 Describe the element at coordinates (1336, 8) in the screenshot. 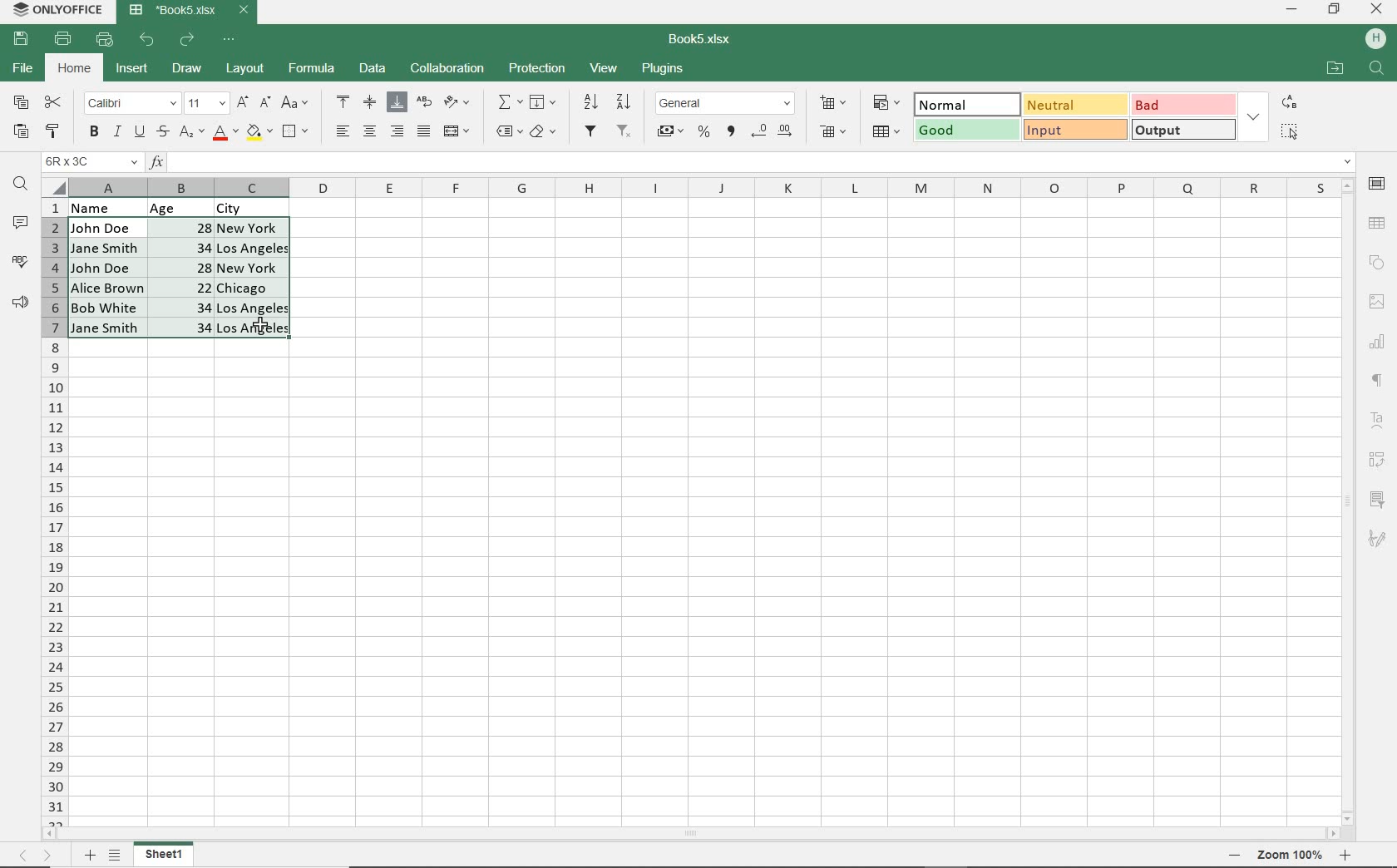

I see `RESTORE DOWN` at that location.